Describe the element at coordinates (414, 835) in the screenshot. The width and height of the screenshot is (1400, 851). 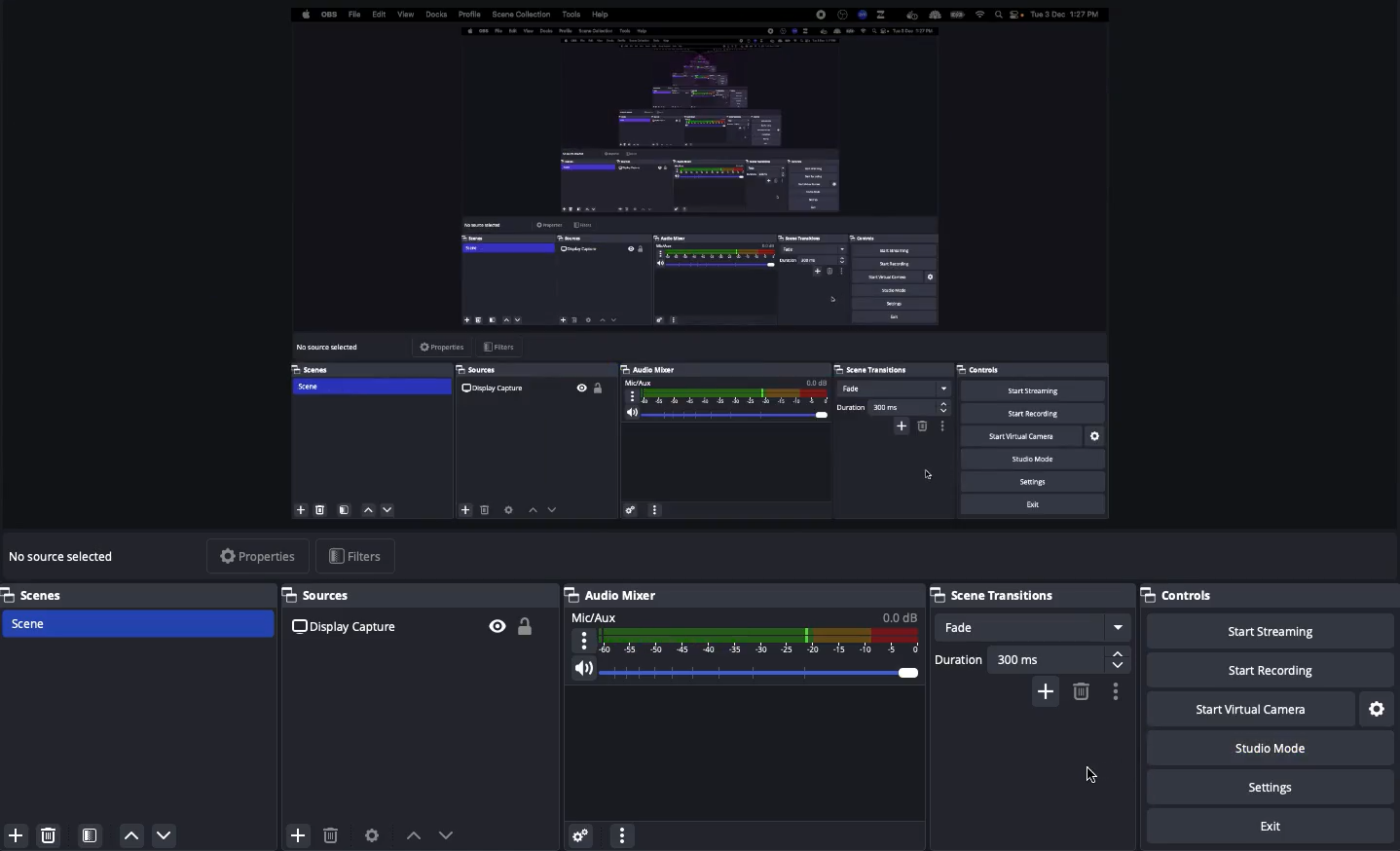
I see `Move up` at that location.